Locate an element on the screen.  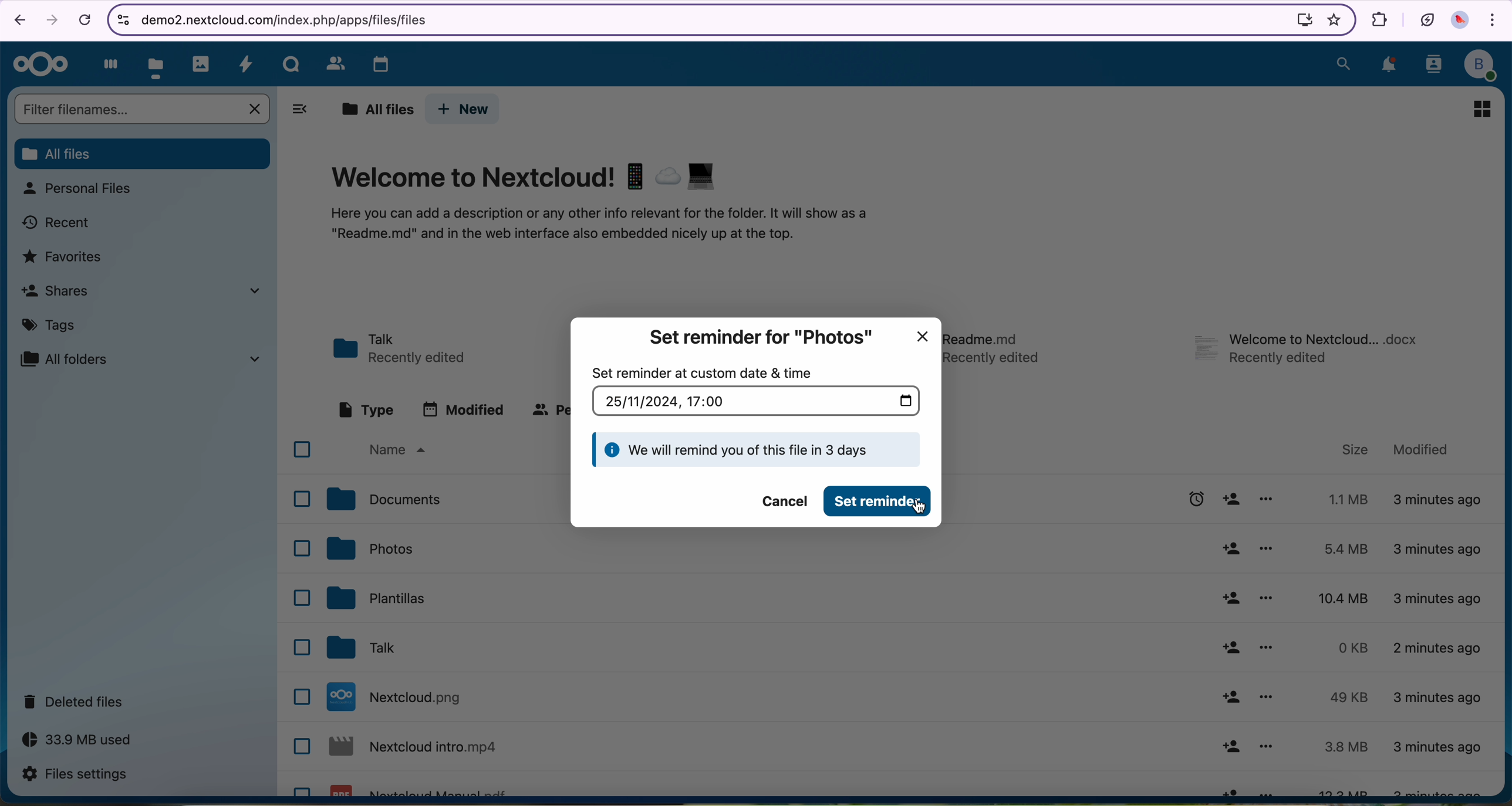
enable reminder is located at coordinates (1193, 499).